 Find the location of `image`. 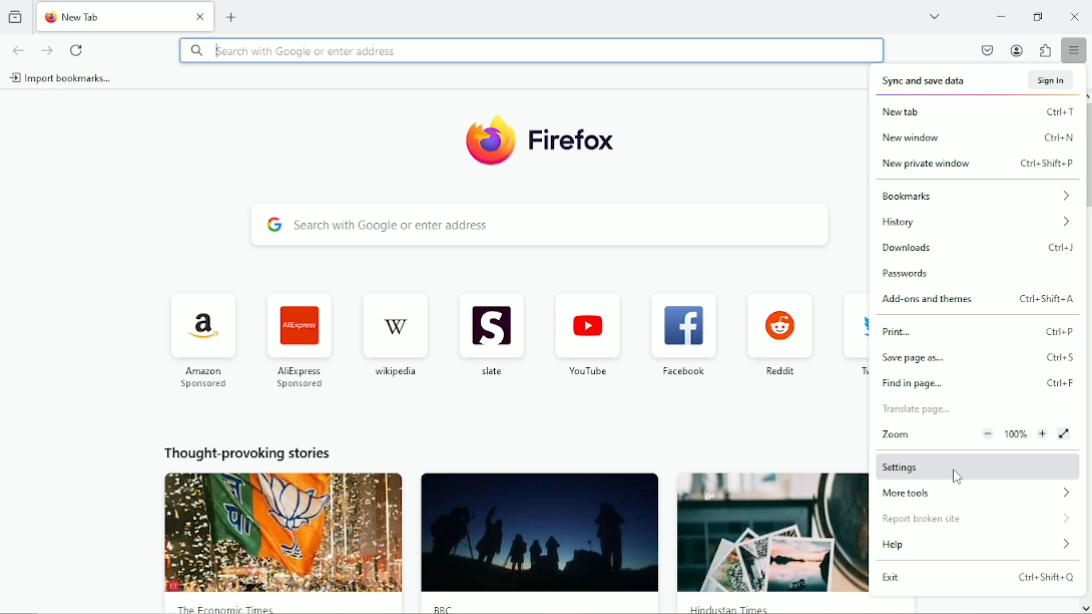

image is located at coordinates (284, 532).